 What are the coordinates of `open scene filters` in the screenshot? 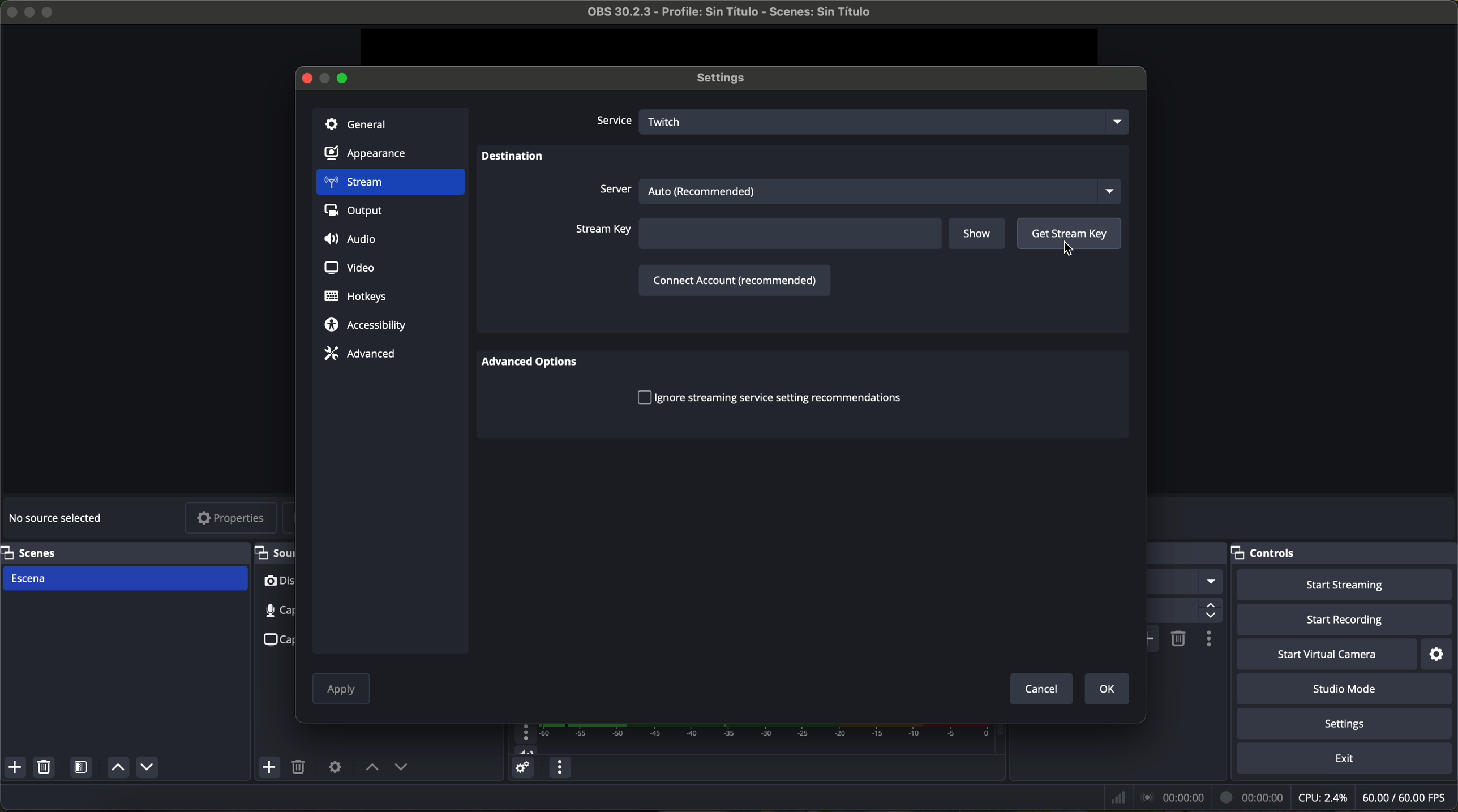 It's located at (83, 769).